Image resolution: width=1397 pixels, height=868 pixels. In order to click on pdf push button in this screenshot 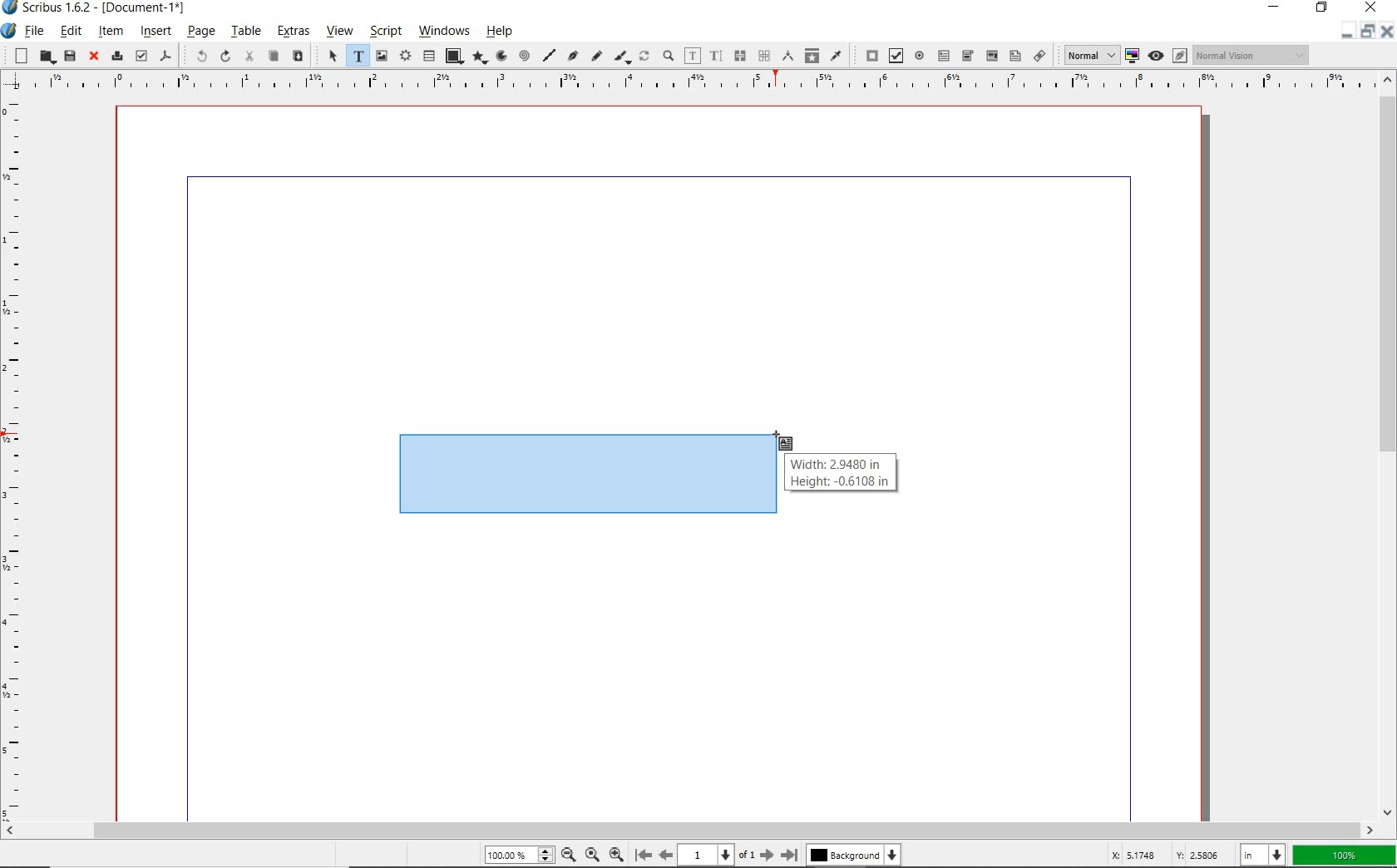, I will do `click(868, 56)`.